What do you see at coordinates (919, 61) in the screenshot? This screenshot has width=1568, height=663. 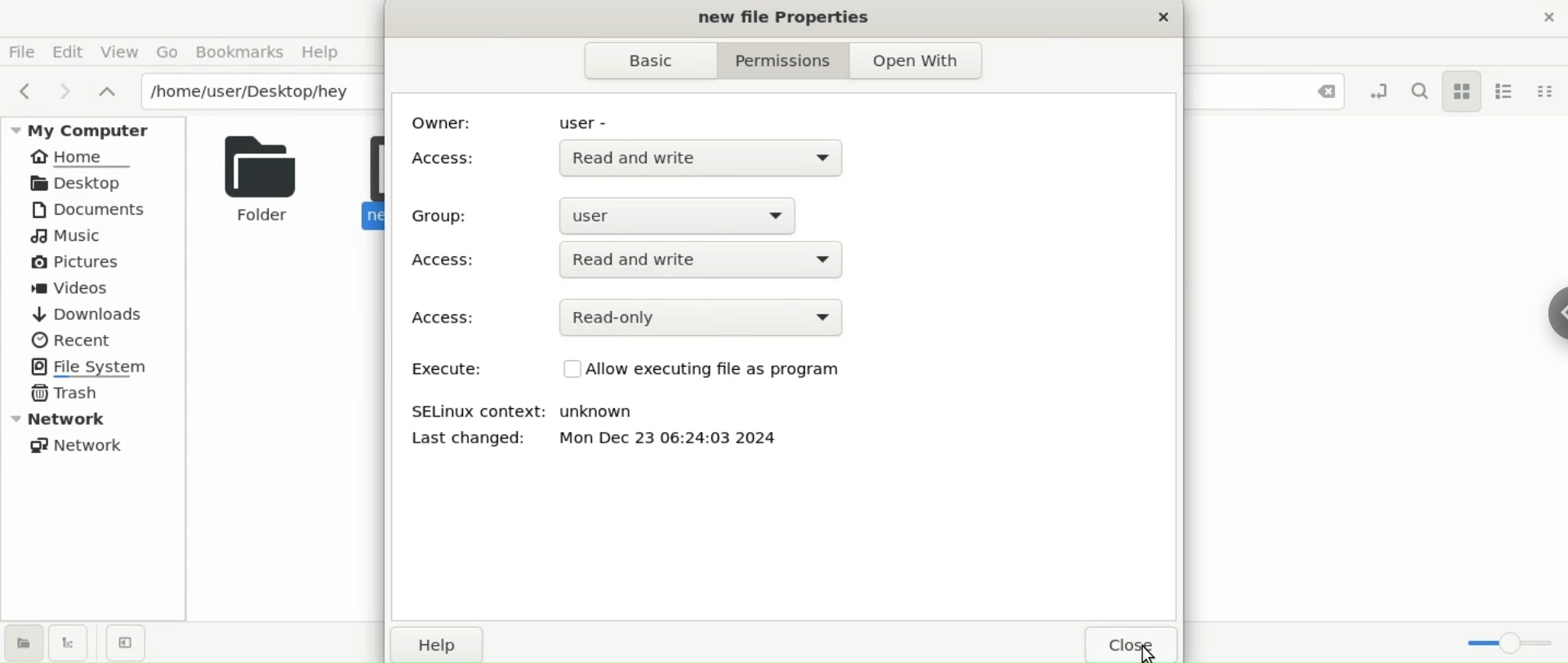 I see `Open With` at bounding box center [919, 61].